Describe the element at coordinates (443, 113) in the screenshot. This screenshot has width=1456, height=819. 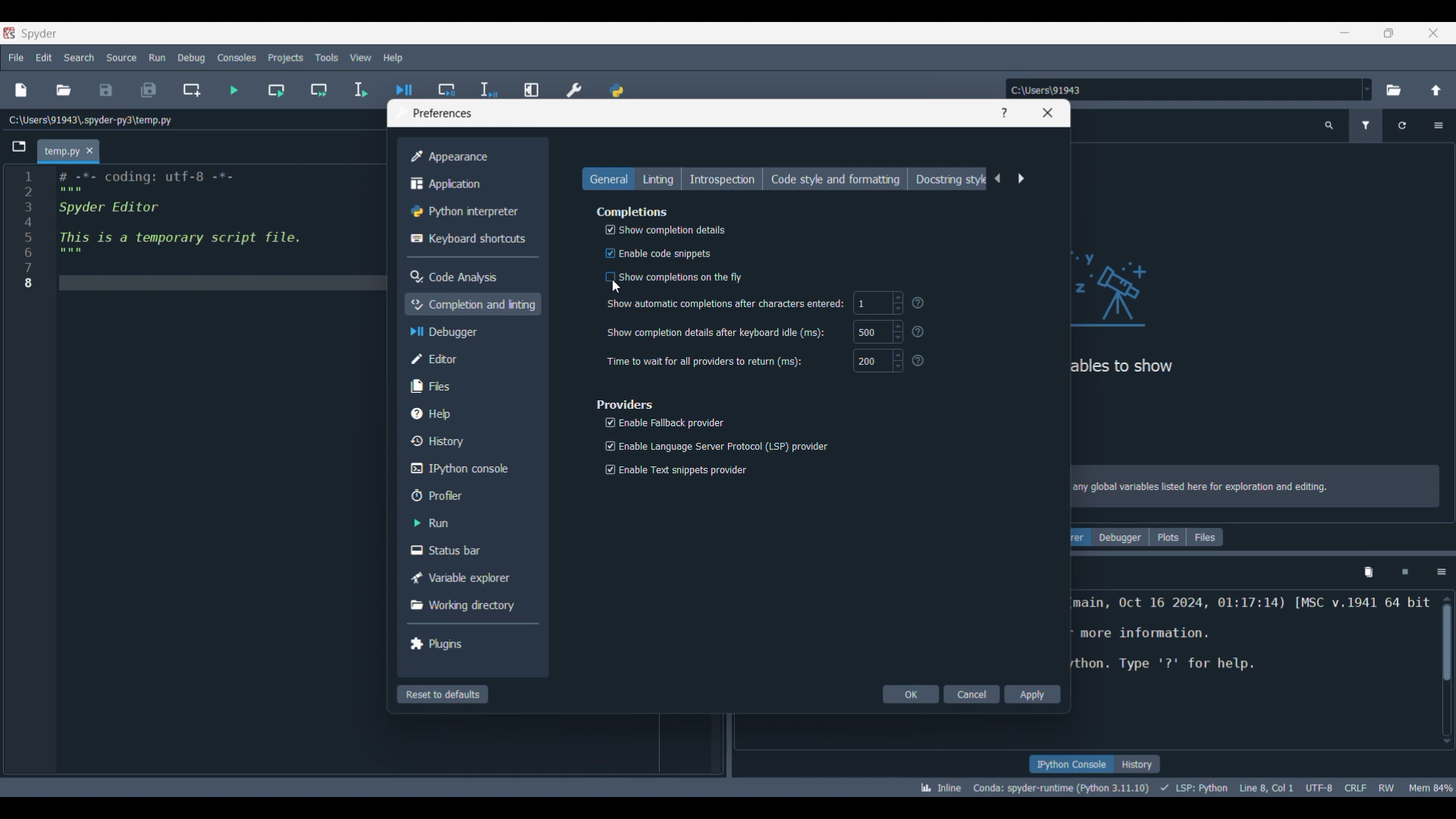
I see `Window title` at that location.